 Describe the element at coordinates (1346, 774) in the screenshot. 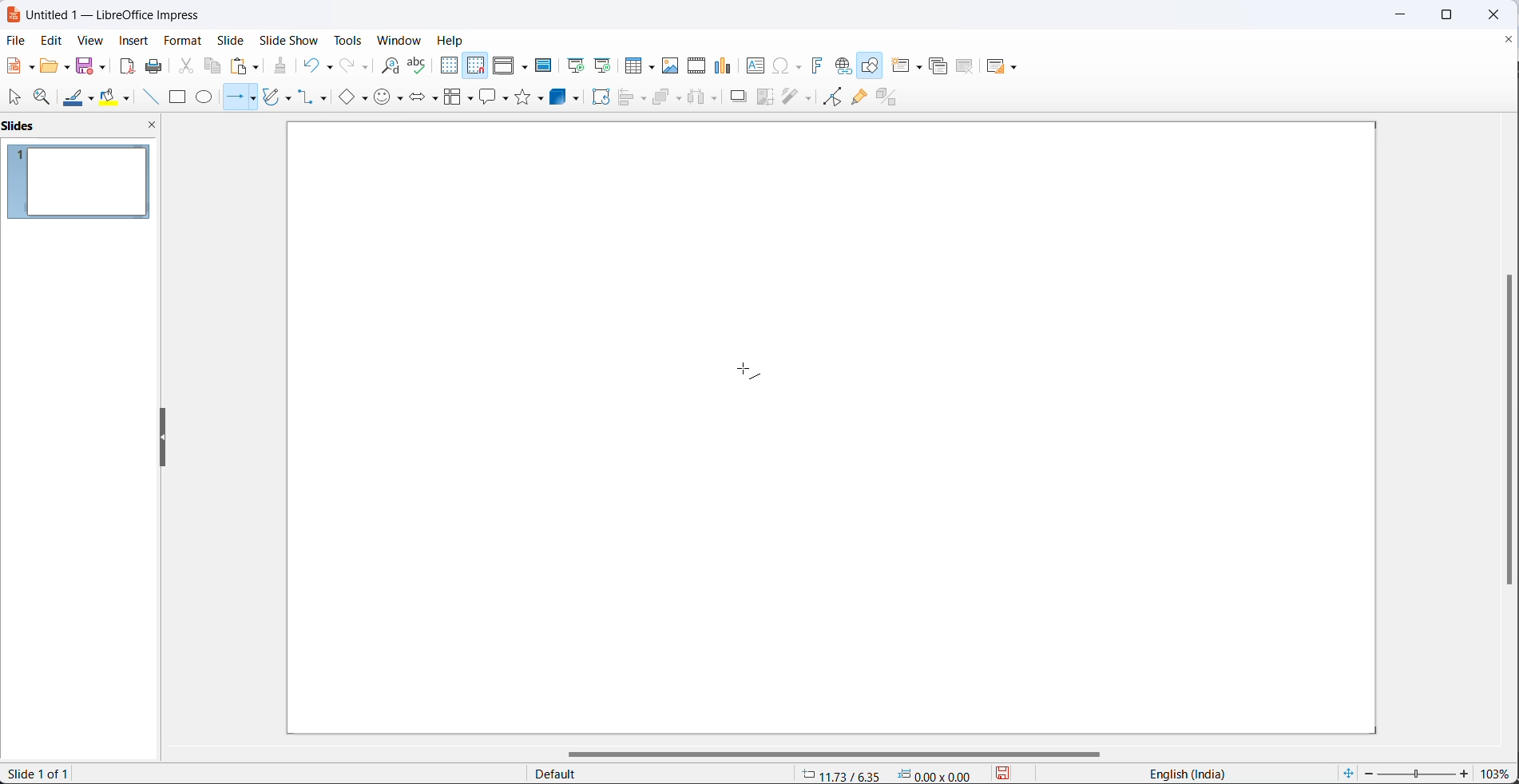

I see `fit slide to current window` at that location.